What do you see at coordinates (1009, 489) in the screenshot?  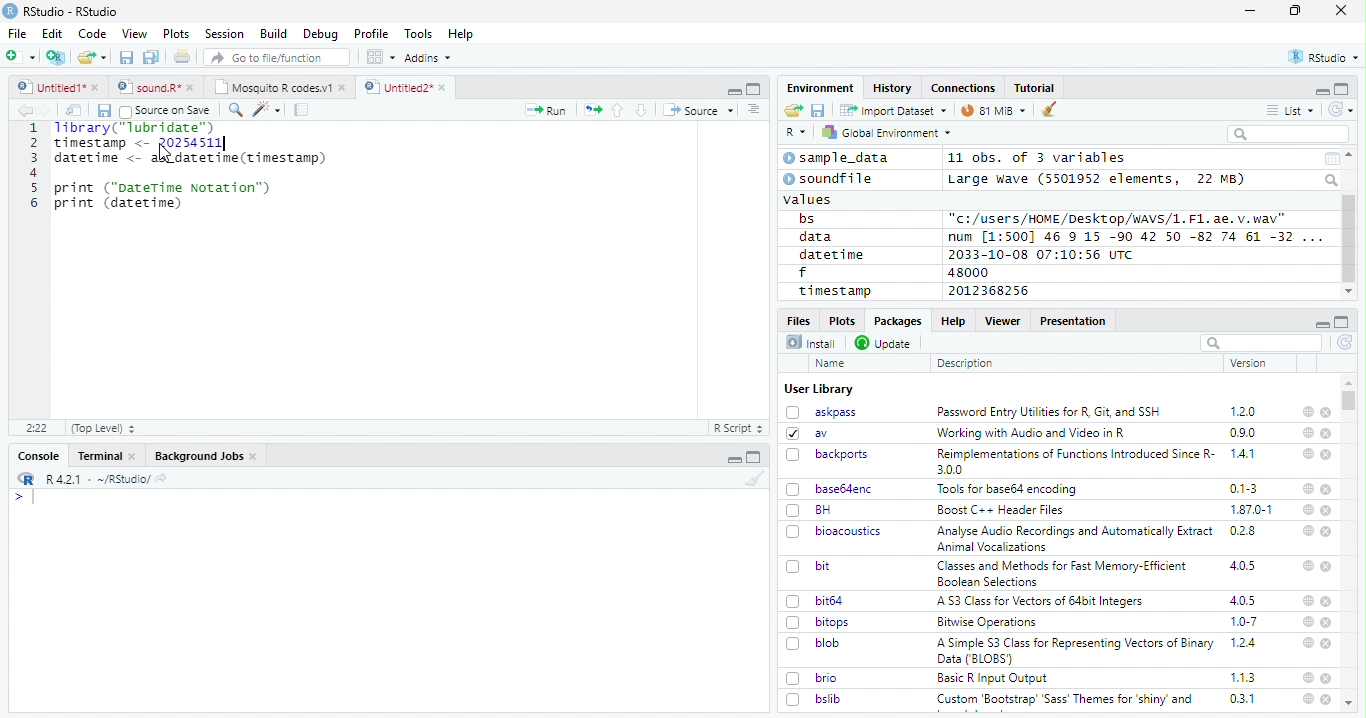 I see `Tools for baseb4 encoding` at bounding box center [1009, 489].